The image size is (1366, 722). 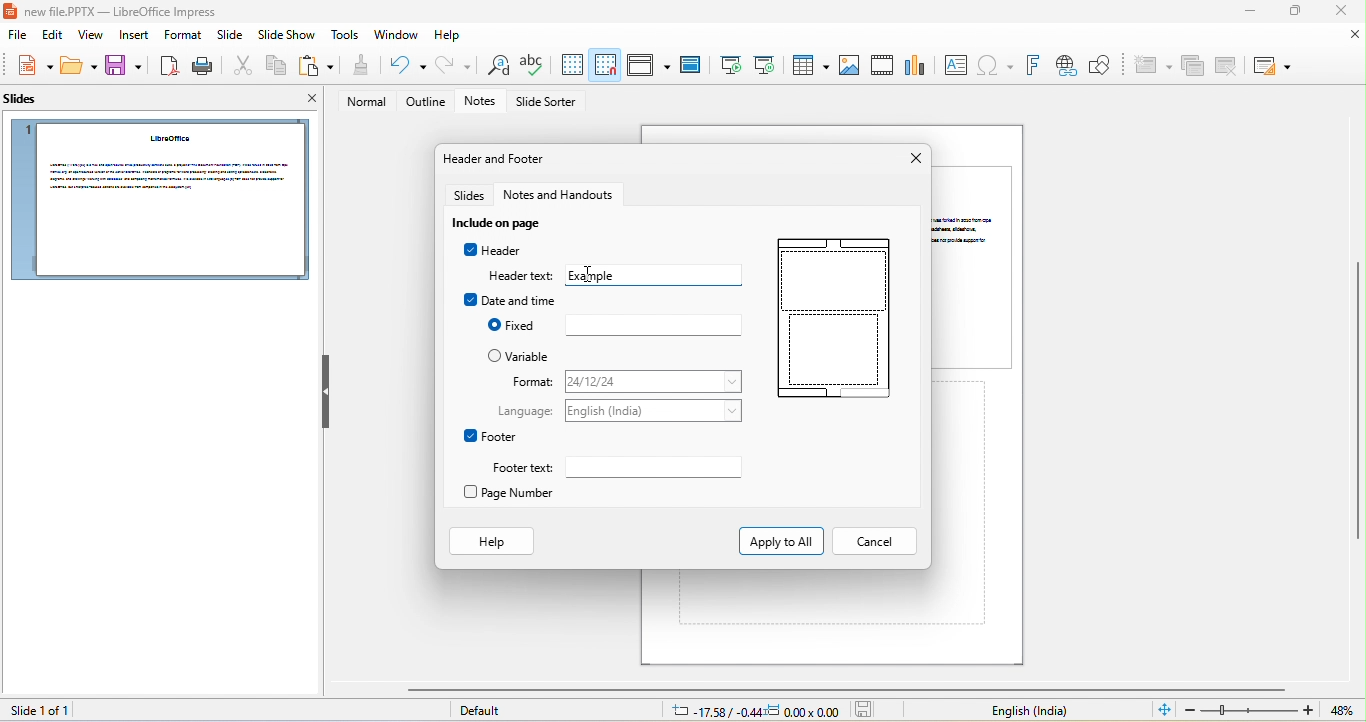 What do you see at coordinates (1293, 12) in the screenshot?
I see `maximize` at bounding box center [1293, 12].